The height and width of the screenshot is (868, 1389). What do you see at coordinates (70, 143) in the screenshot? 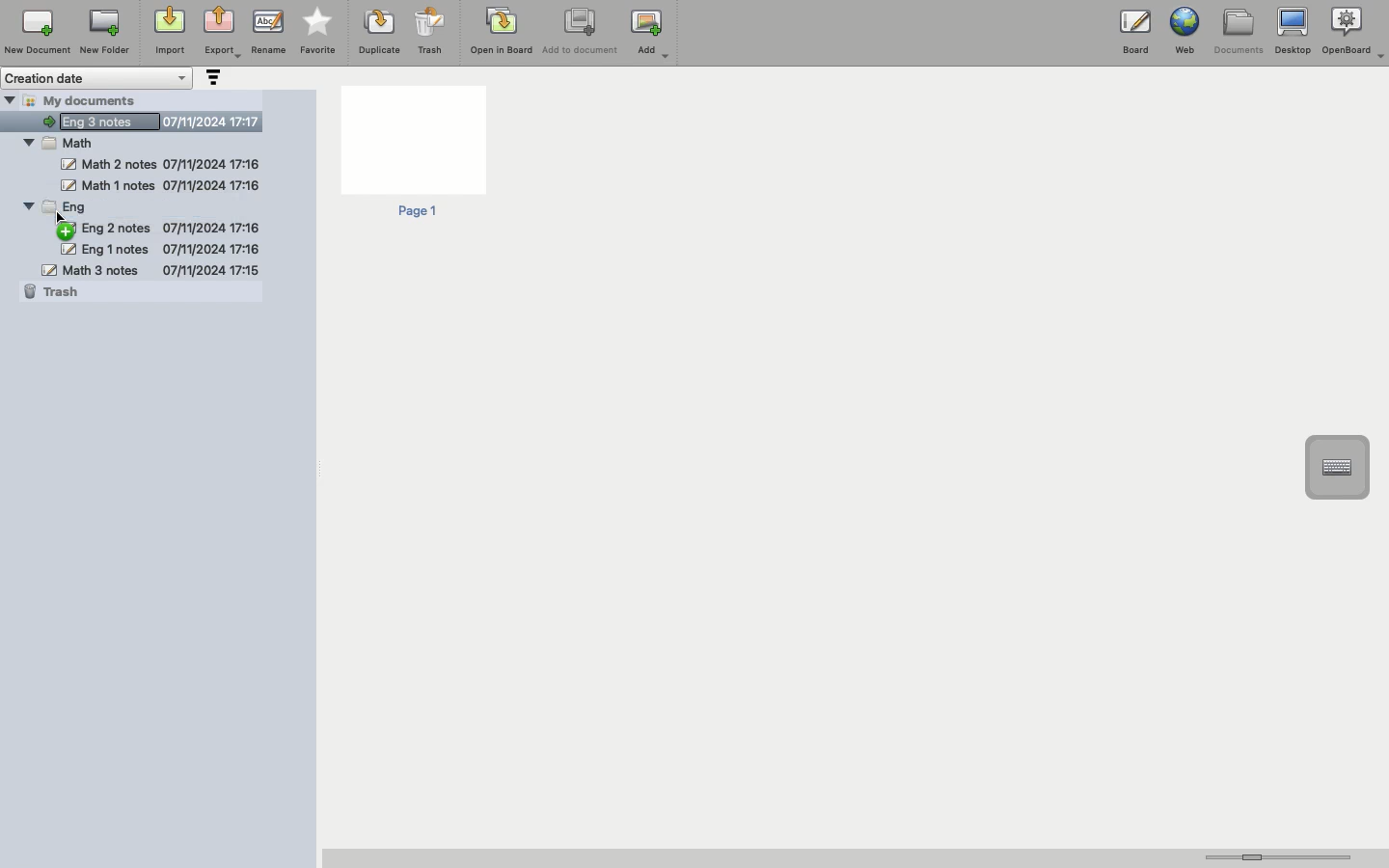
I see `Math` at bounding box center [70, 143].